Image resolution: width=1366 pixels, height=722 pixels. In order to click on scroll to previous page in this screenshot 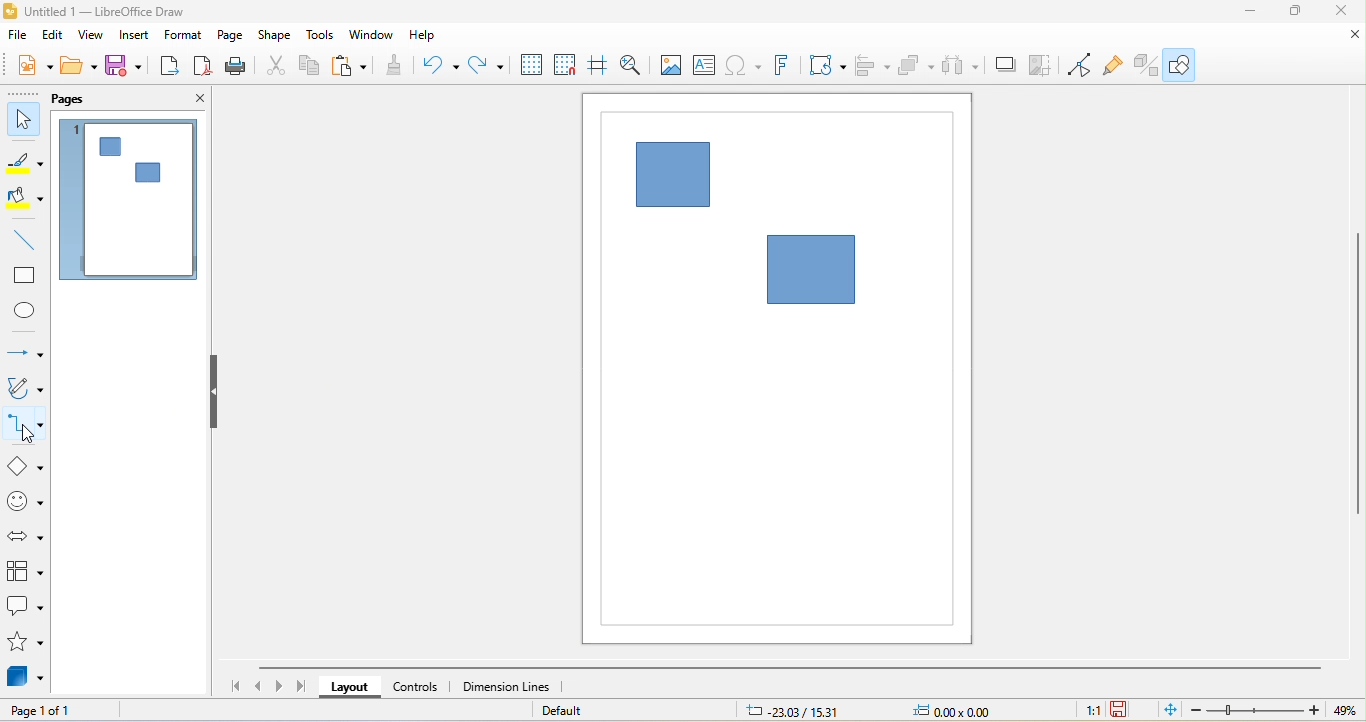, I will do `click(258, 688)`.